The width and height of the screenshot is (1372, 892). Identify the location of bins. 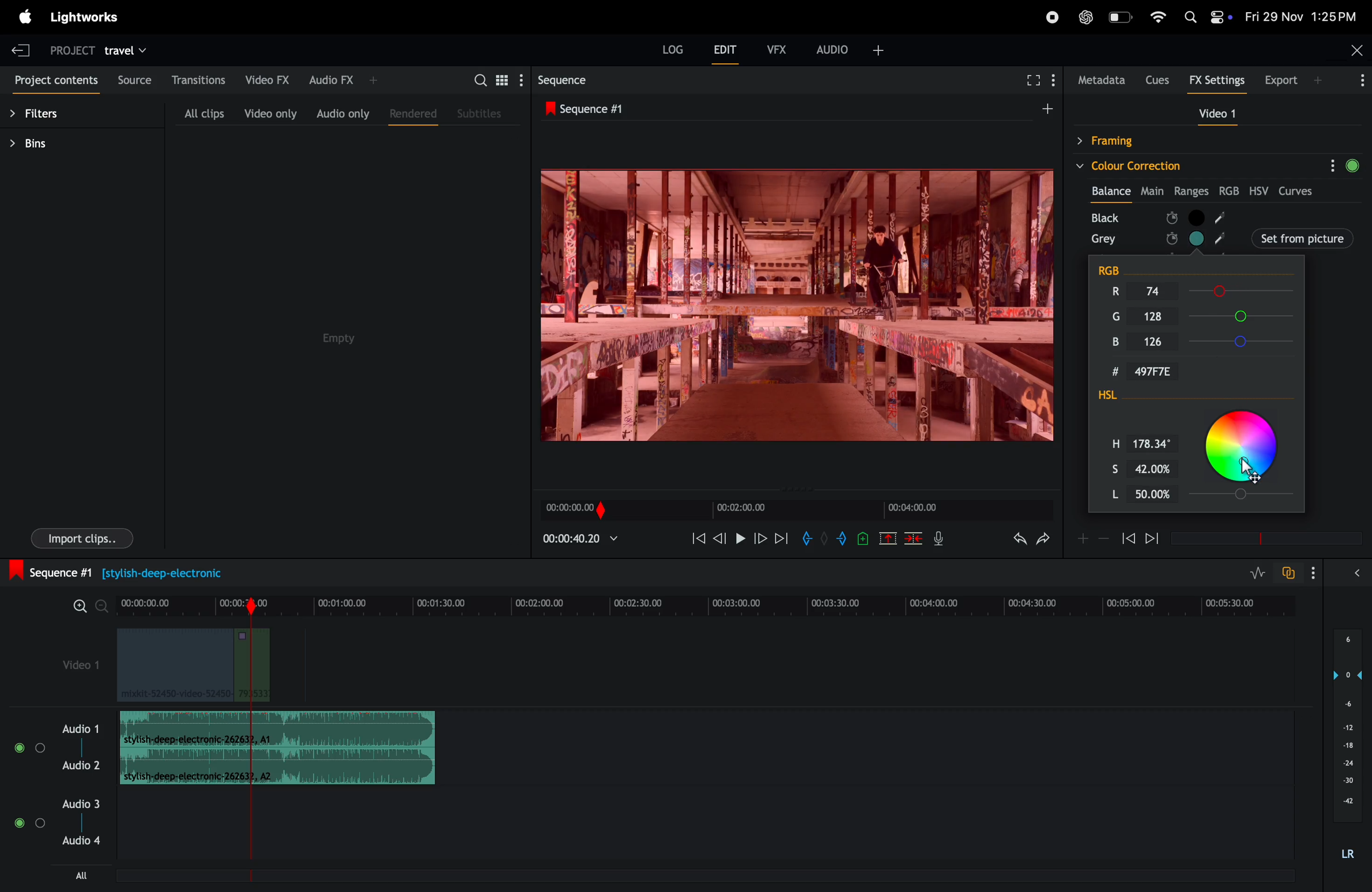
(42, 144).